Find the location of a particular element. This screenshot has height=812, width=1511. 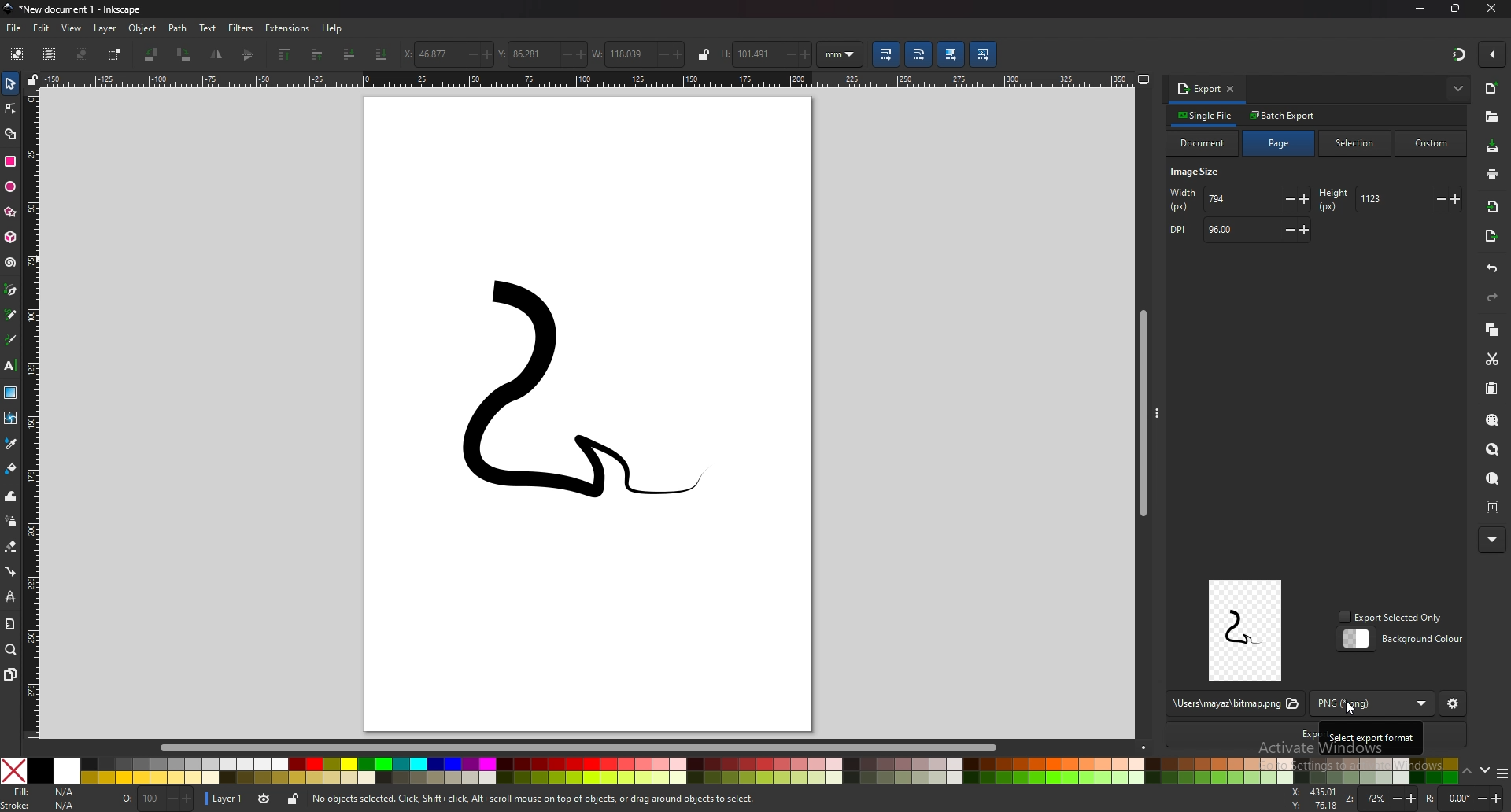

export is located at coordinates (1491, 238).